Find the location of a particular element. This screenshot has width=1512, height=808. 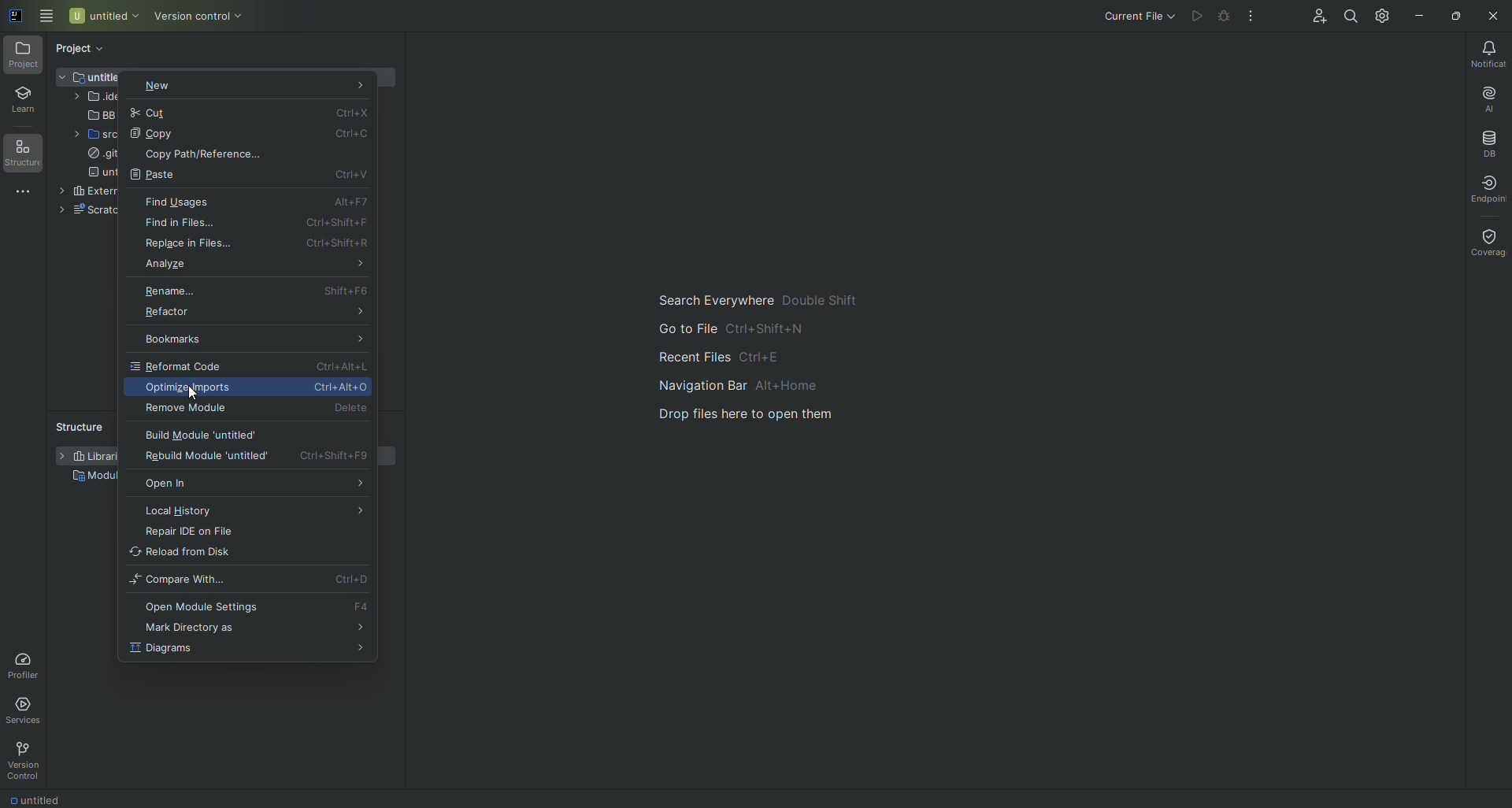

Reformat code is located at coordinates (249, 365).